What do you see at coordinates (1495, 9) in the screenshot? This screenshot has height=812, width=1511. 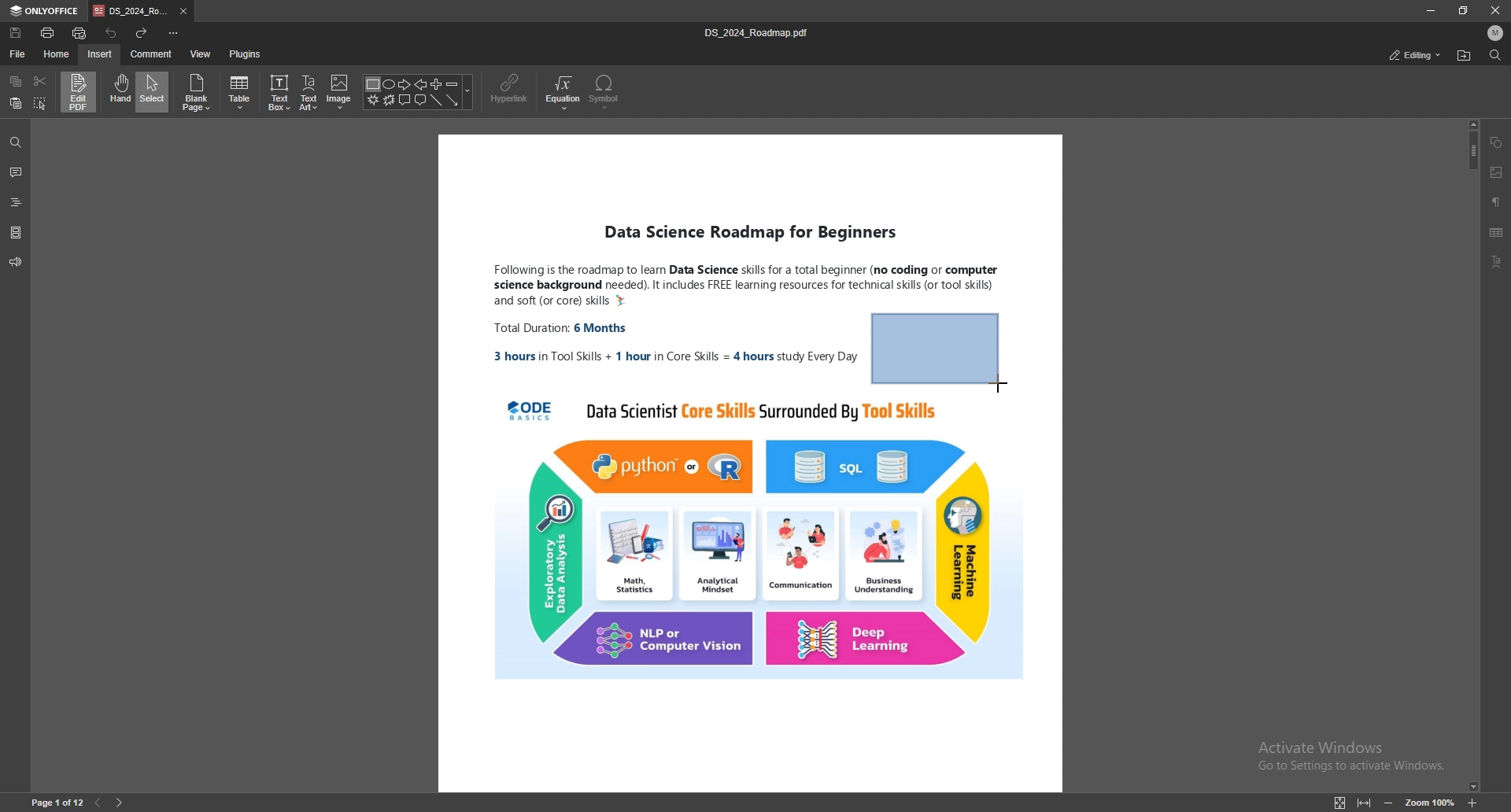 I see `close` at bounding box center [1495, 9].